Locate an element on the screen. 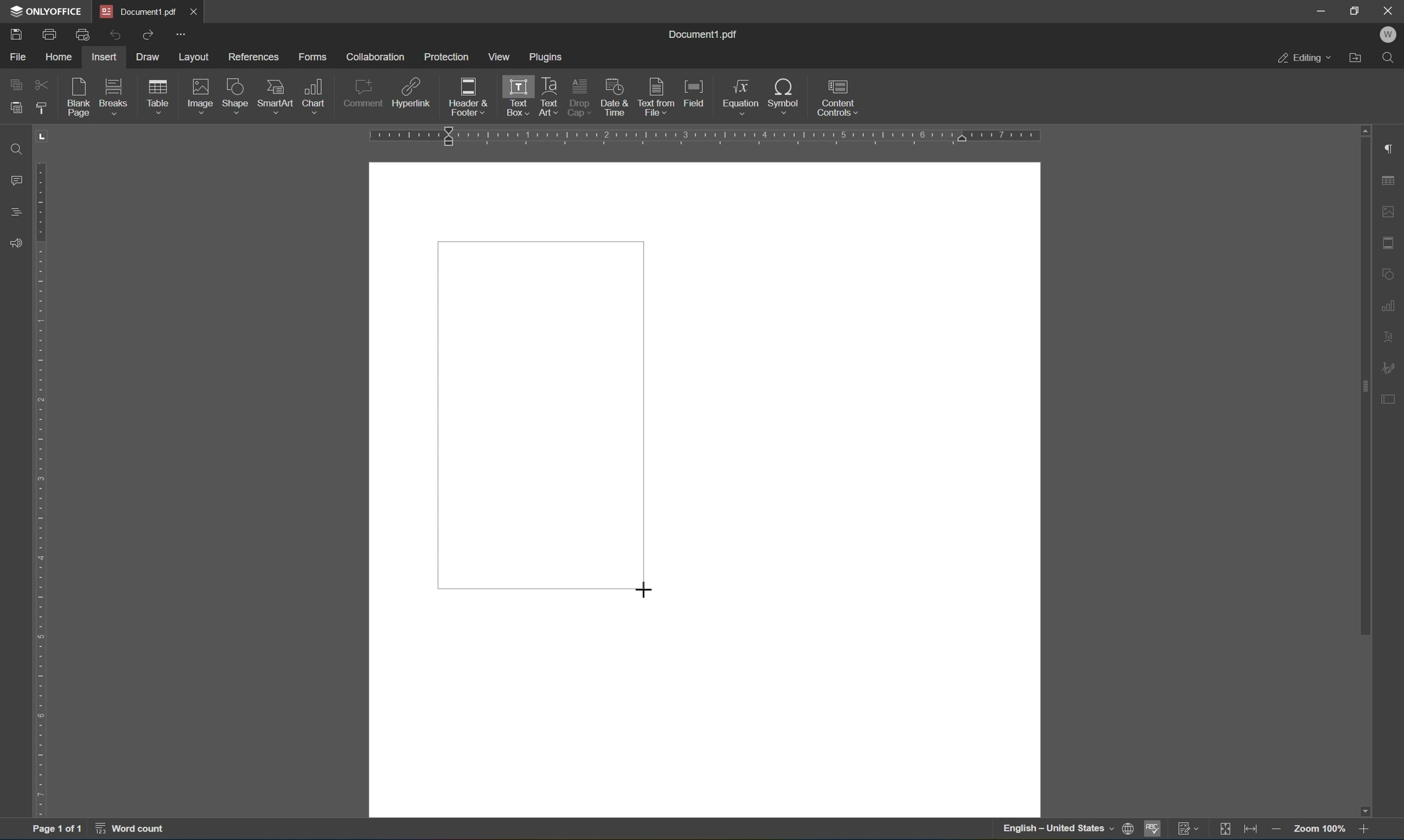  breaks is located at coordinates (117, 96).